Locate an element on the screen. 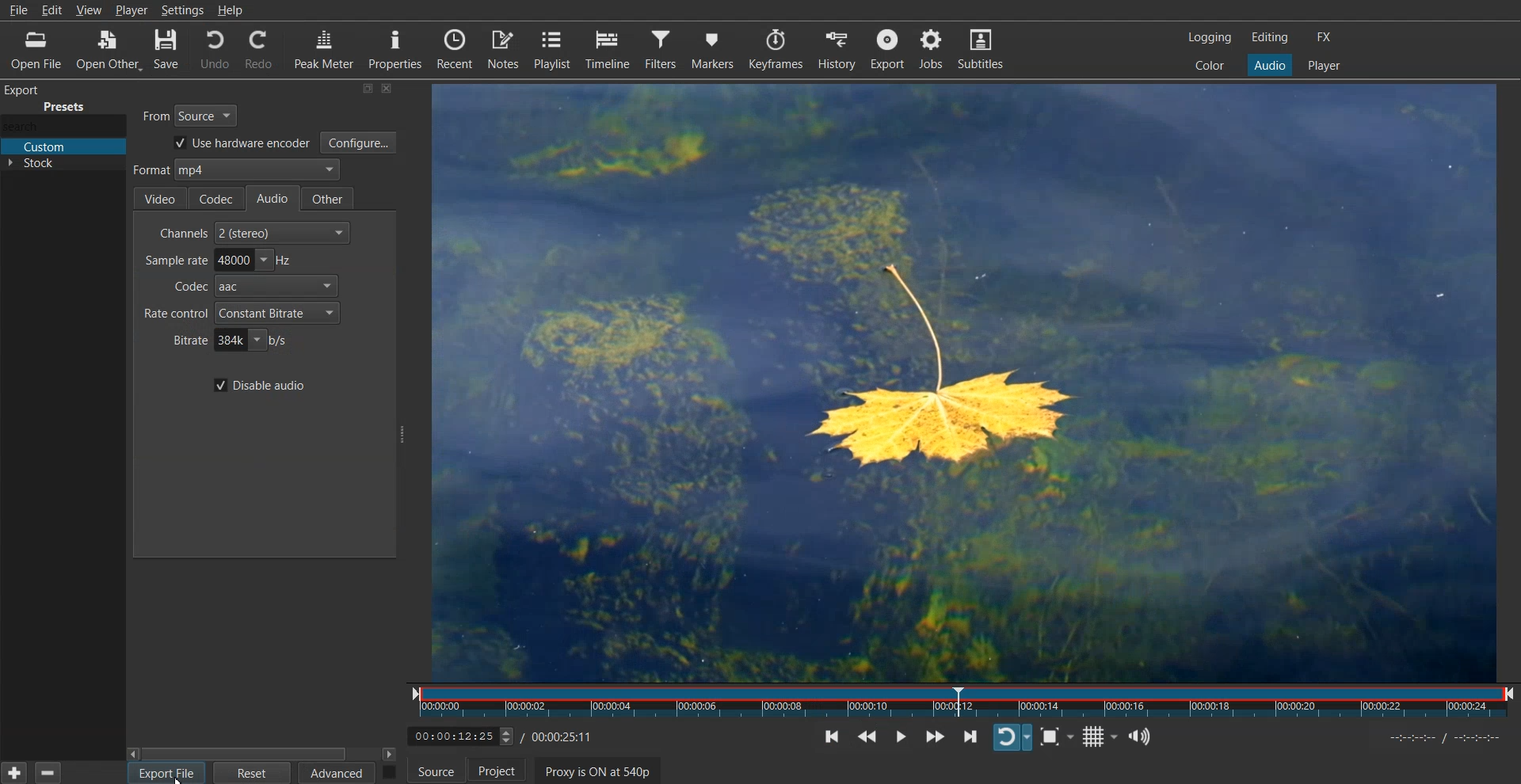 The image size is (1521, 784). Toggle grid display on the player is located at coordinates (1101, 736).